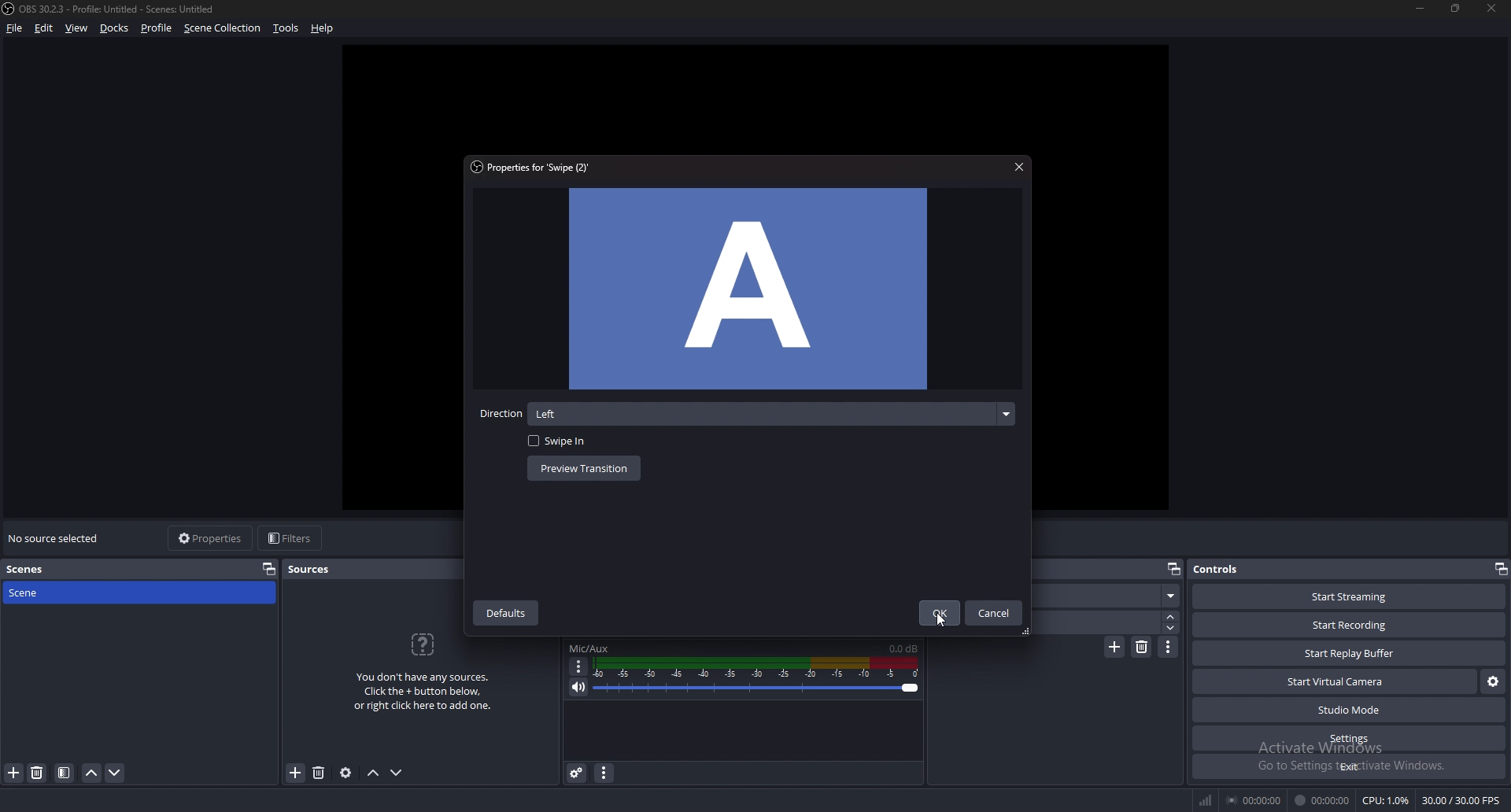 Image resolution: width=1511 pixels, height=812 pixels. I want to click on ) OBS 30.2.3 - Profile: Untitled - Scenes: Untitled, so click(126, 9).